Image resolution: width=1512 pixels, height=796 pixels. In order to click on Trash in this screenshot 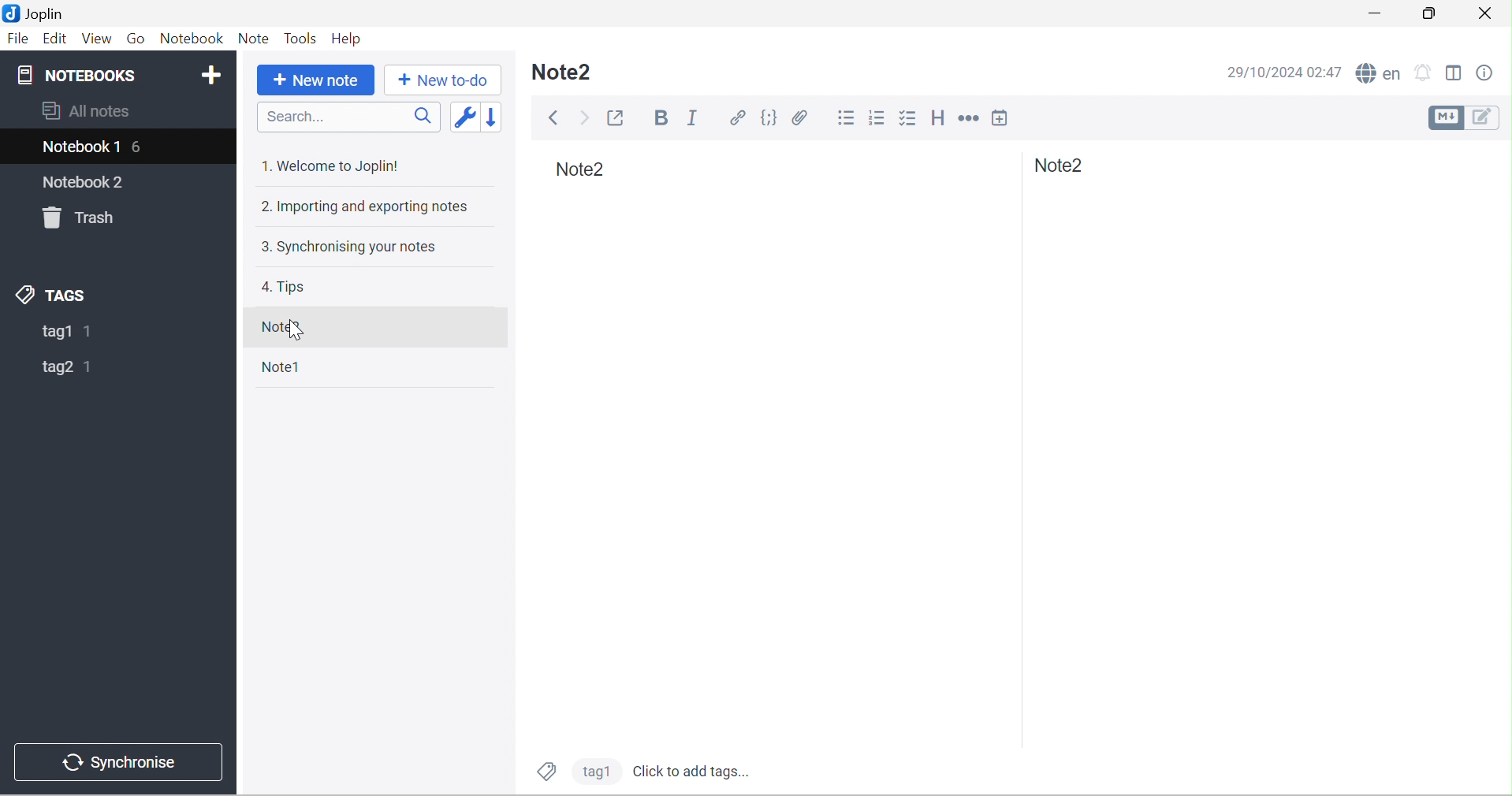, I will do `click(77, 218)`.